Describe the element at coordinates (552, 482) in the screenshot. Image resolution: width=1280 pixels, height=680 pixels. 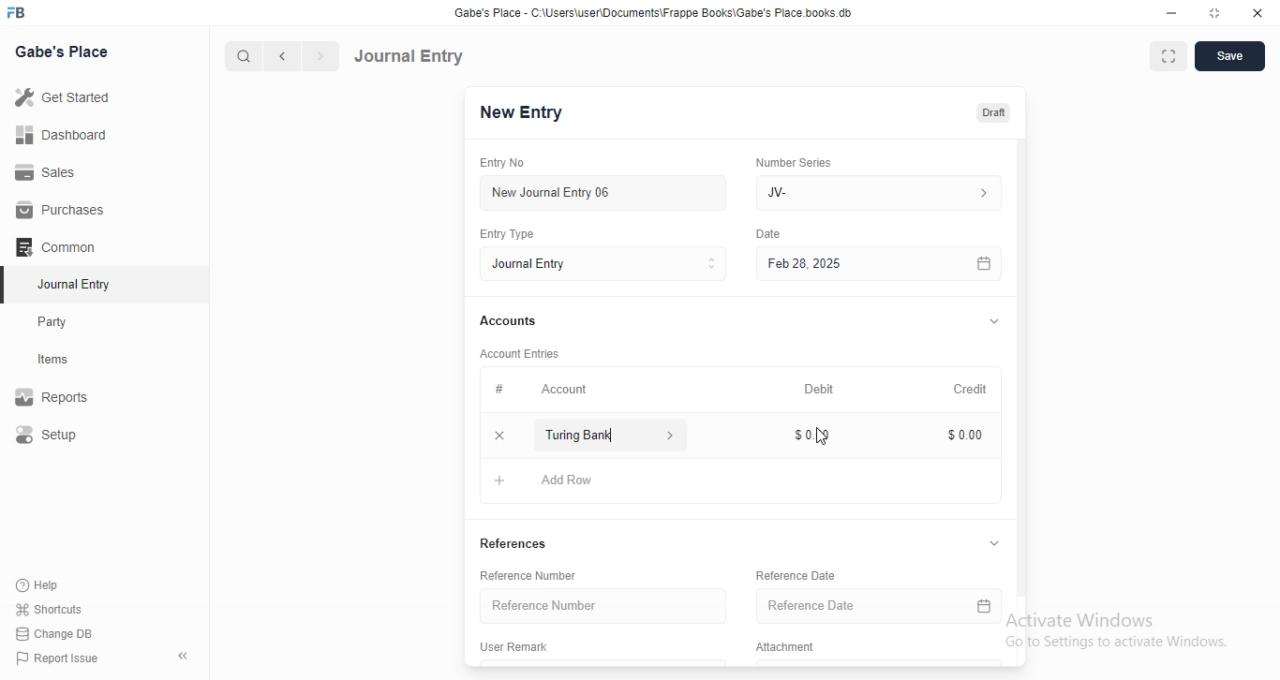
I see `Add Row` at that location.